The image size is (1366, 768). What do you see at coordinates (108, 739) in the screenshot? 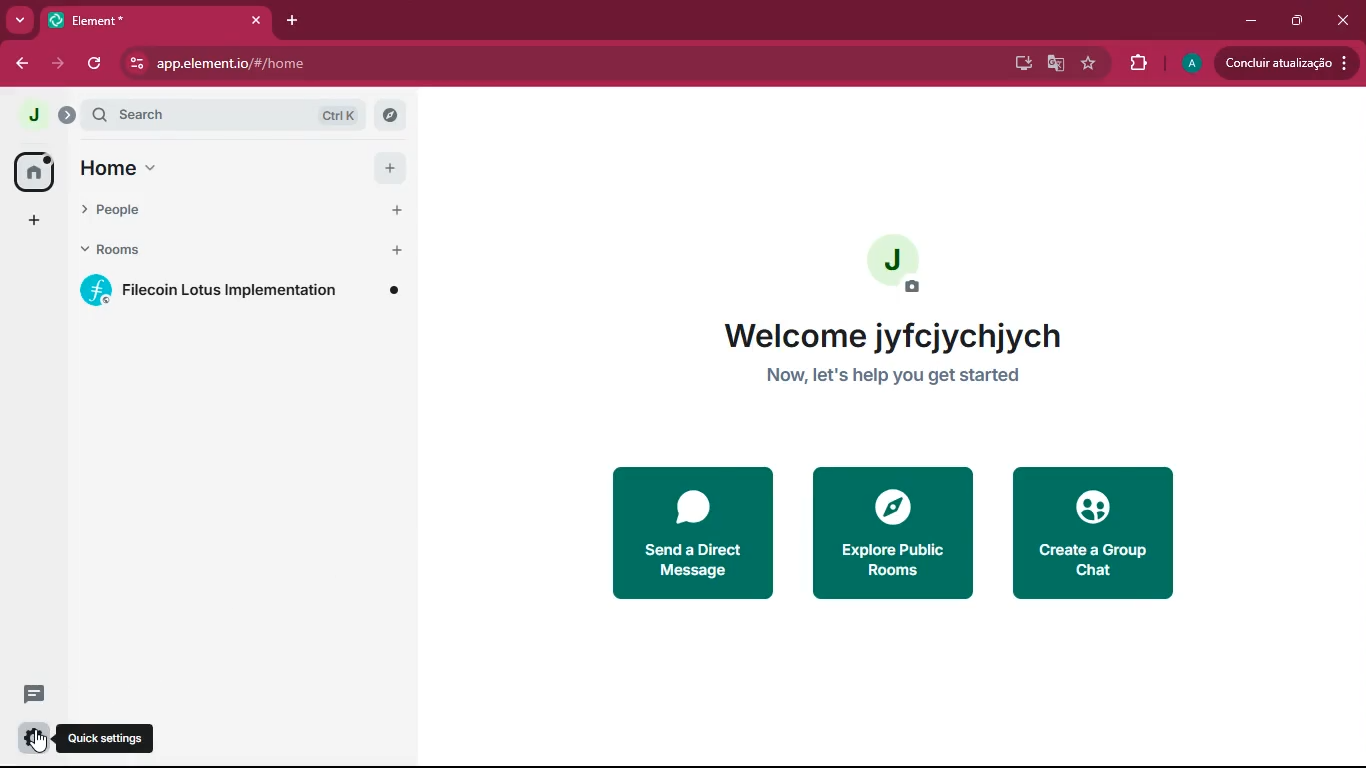
I see `Quick settings` at bounding box center [108, 739].